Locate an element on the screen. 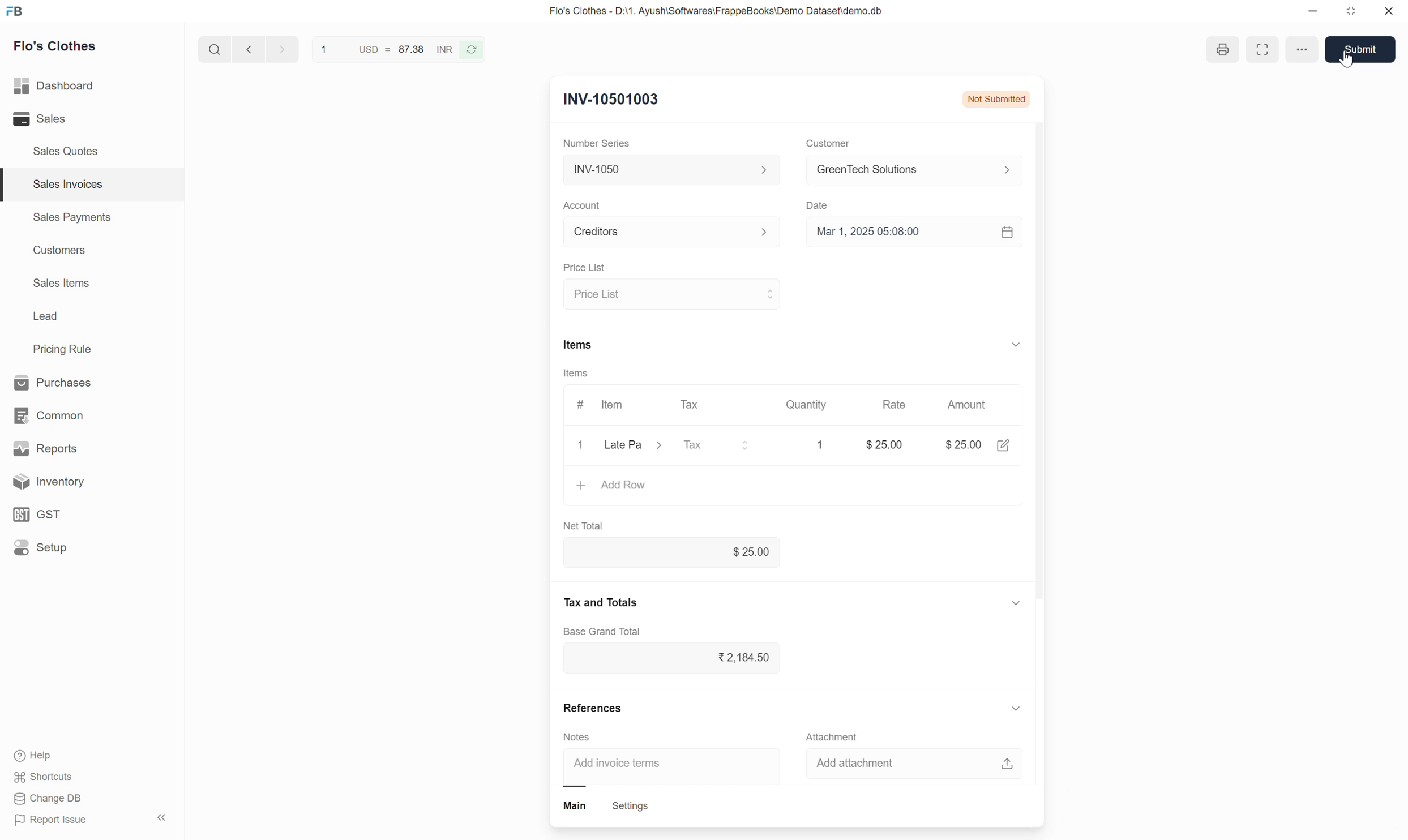 The height and width of the screenshot is (840, 1408). Sales Quotes is located at coordinates (66, 151).